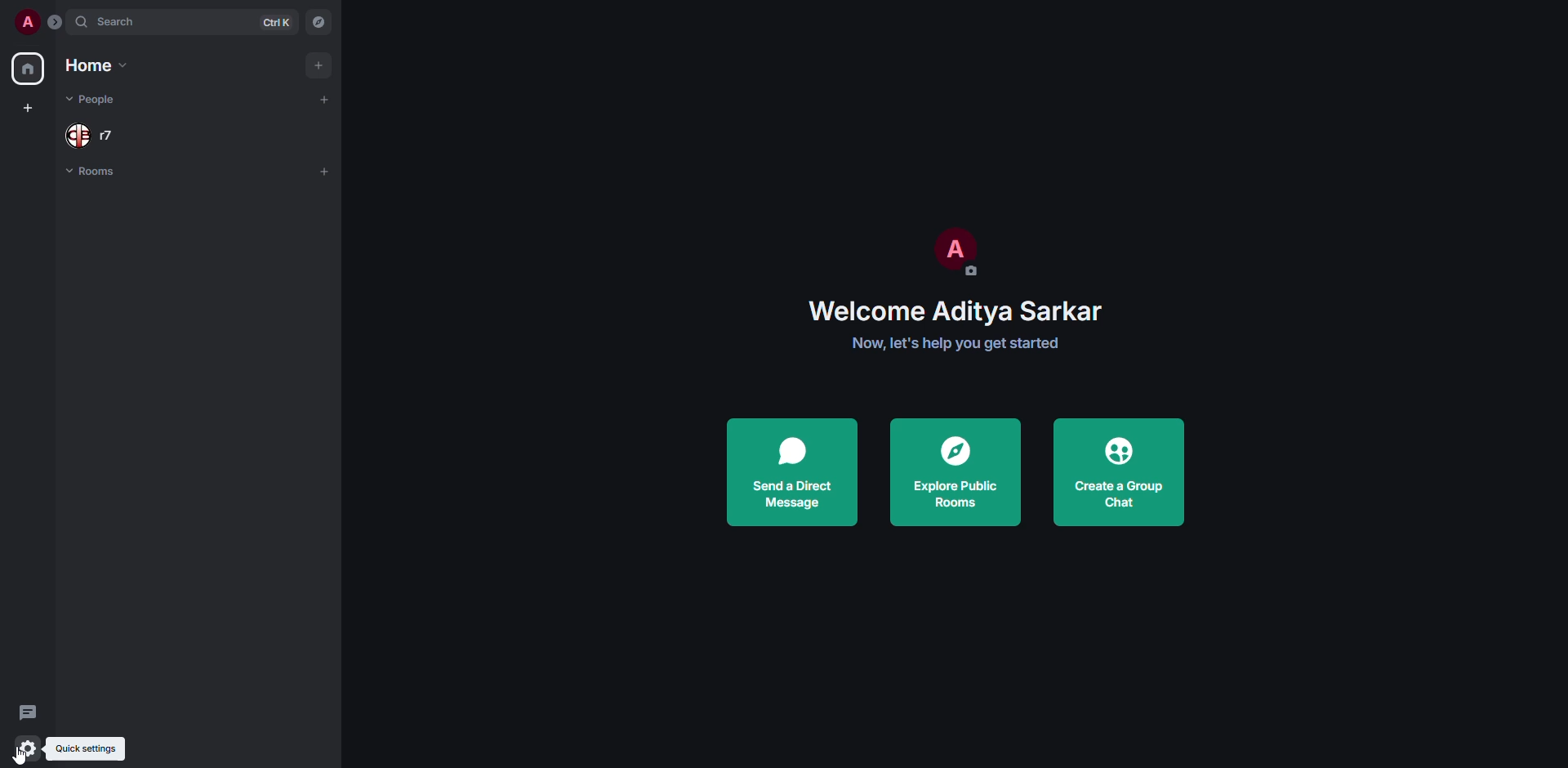 This screenshot has width=1568, height=768. Describe the element at coordinates (98, 136) in the screenshot. I see `people` at that location.